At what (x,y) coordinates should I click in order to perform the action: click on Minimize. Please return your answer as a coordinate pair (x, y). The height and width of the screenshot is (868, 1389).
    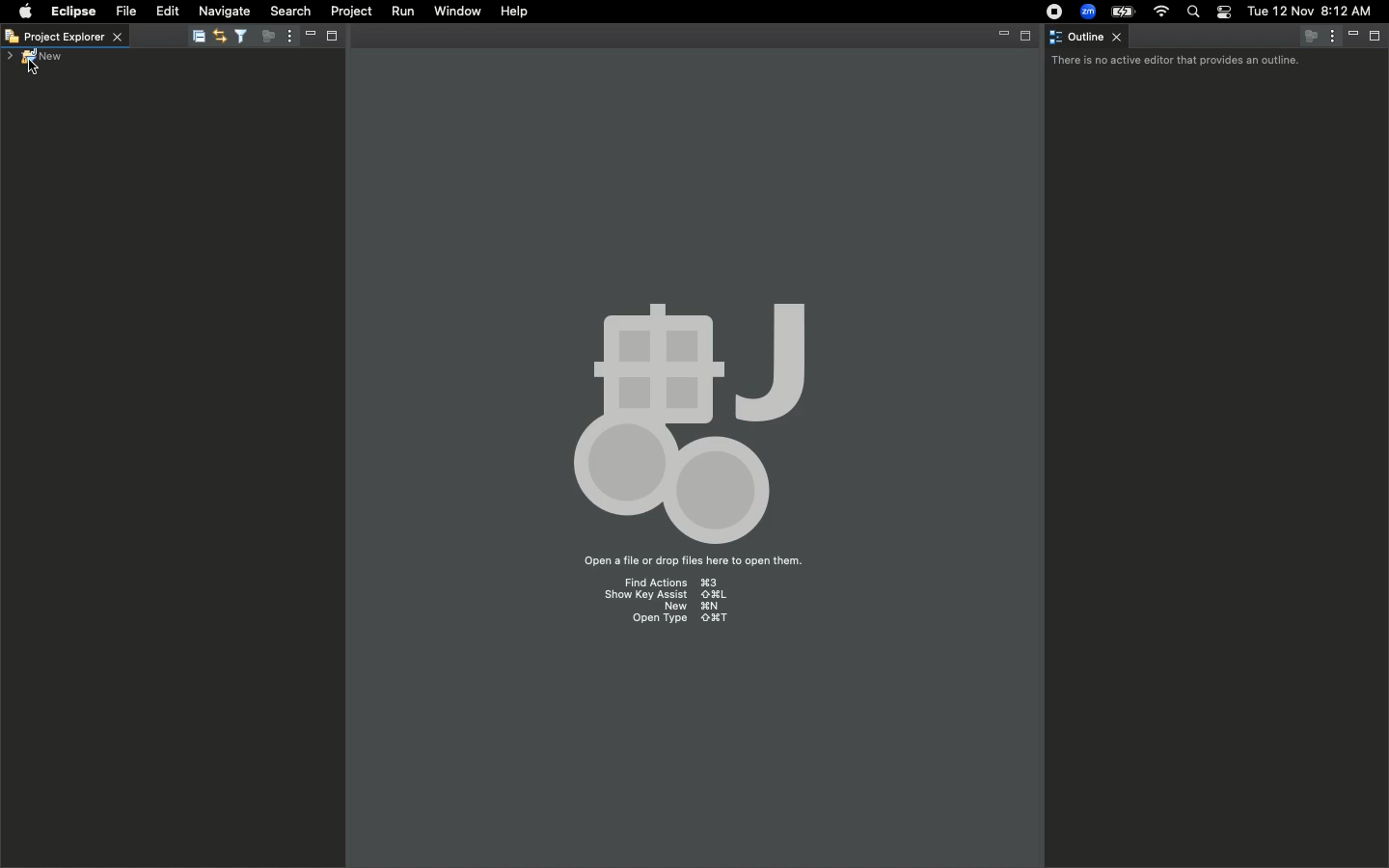
    Looking at the image, I should click on (1354, 35).